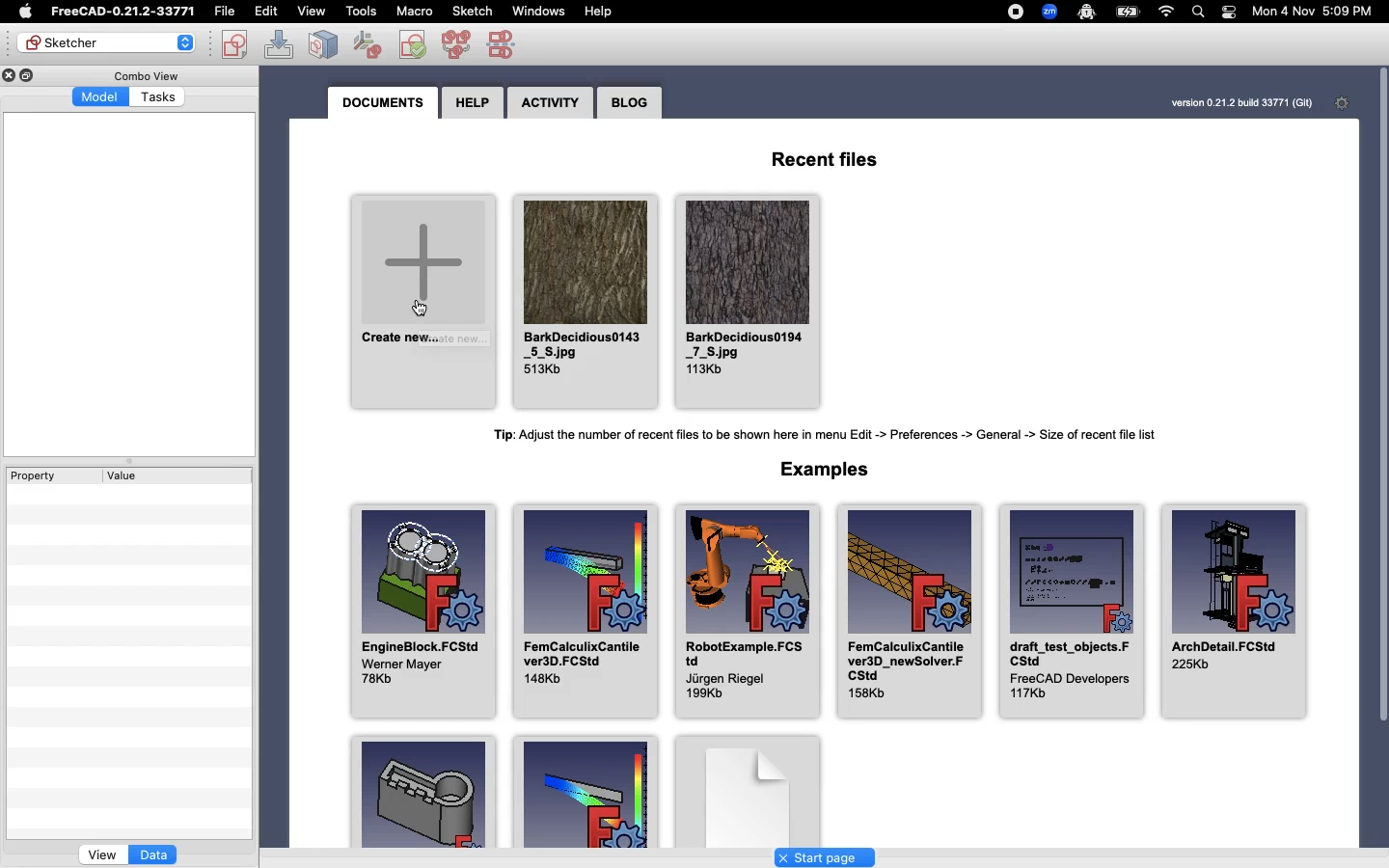 This screenshot has height=868, width=1389. I want to click on Sketch, so click(473, 10).